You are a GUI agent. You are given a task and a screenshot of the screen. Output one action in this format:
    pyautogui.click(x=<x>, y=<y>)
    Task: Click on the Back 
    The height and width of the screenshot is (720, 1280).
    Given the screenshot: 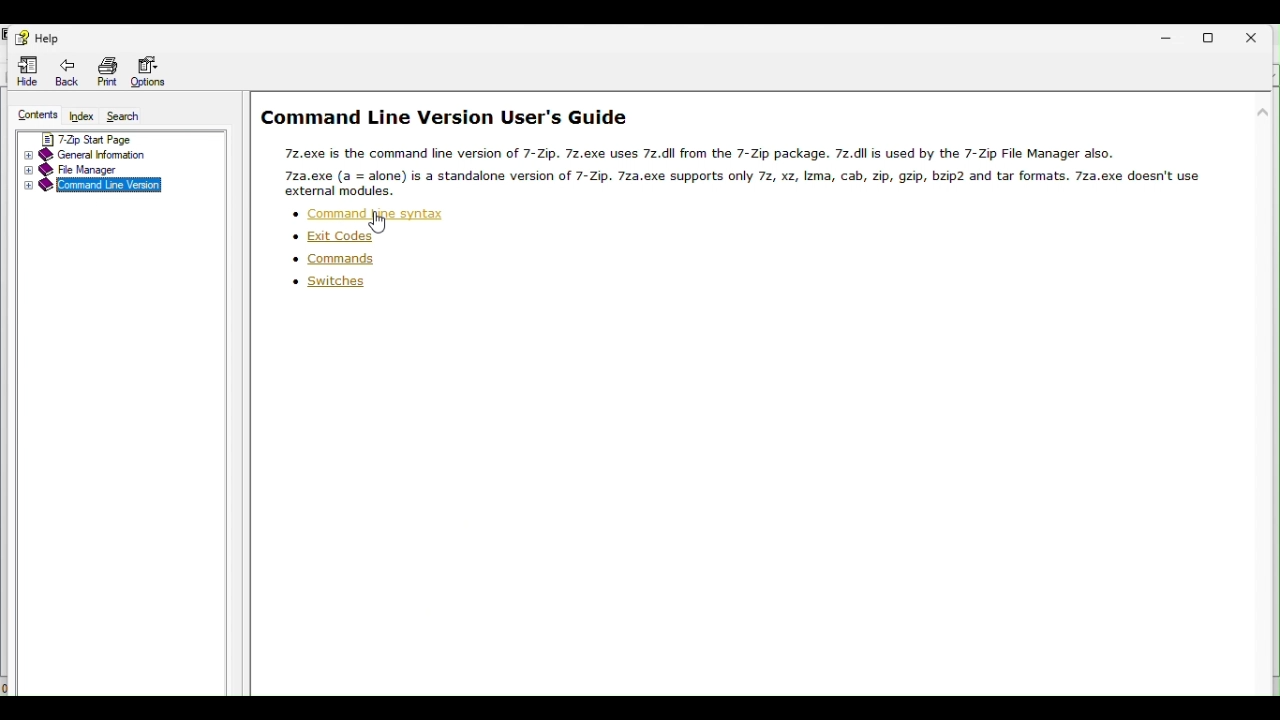 What is the action you would take?
    pyautogui.click(x=70, y=73)
    